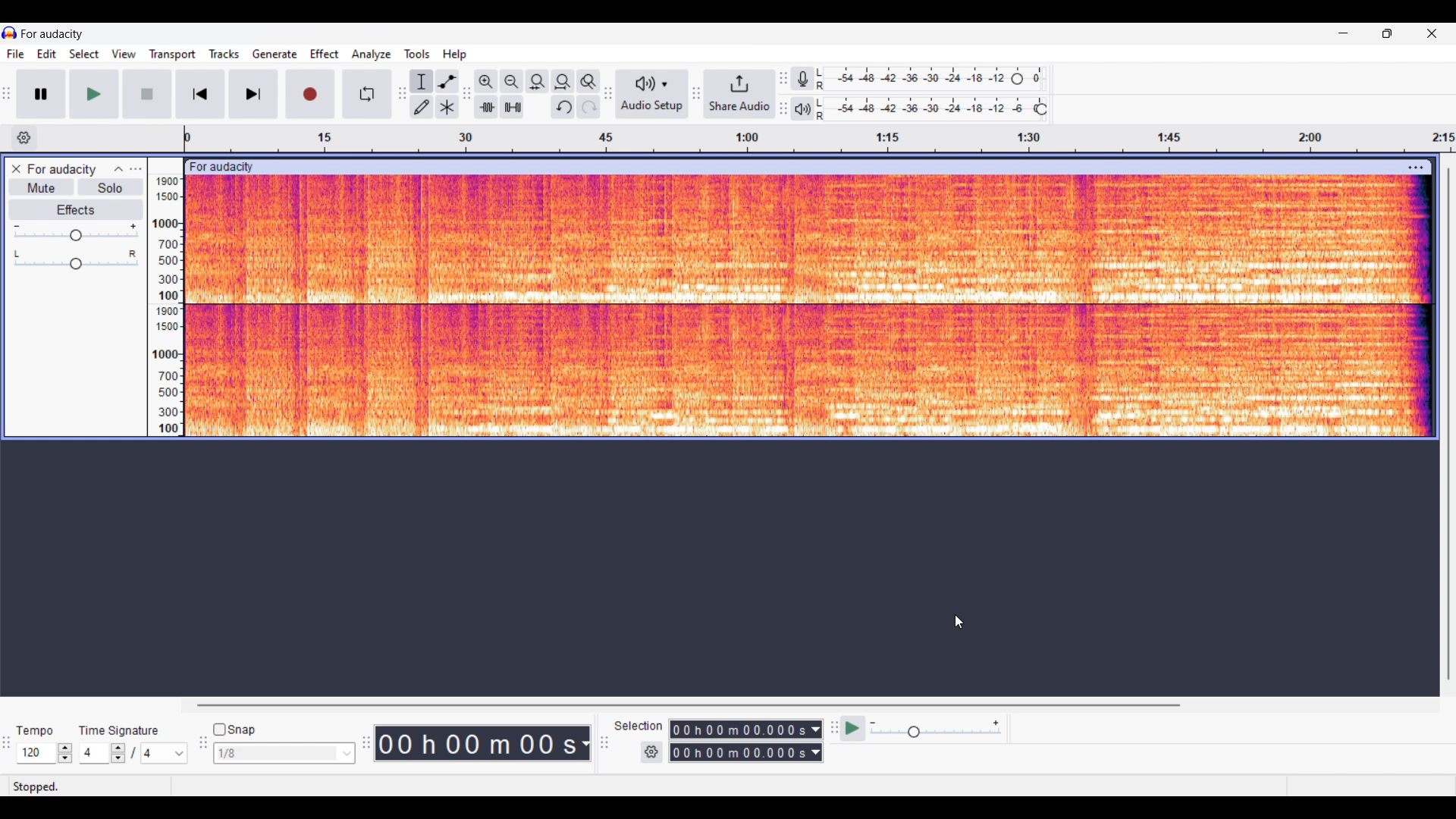 This screenshot has width=1456, height=819. Describe the element at coordinates (513, 82) in the screenshot. I see `Zoom out` at that location.